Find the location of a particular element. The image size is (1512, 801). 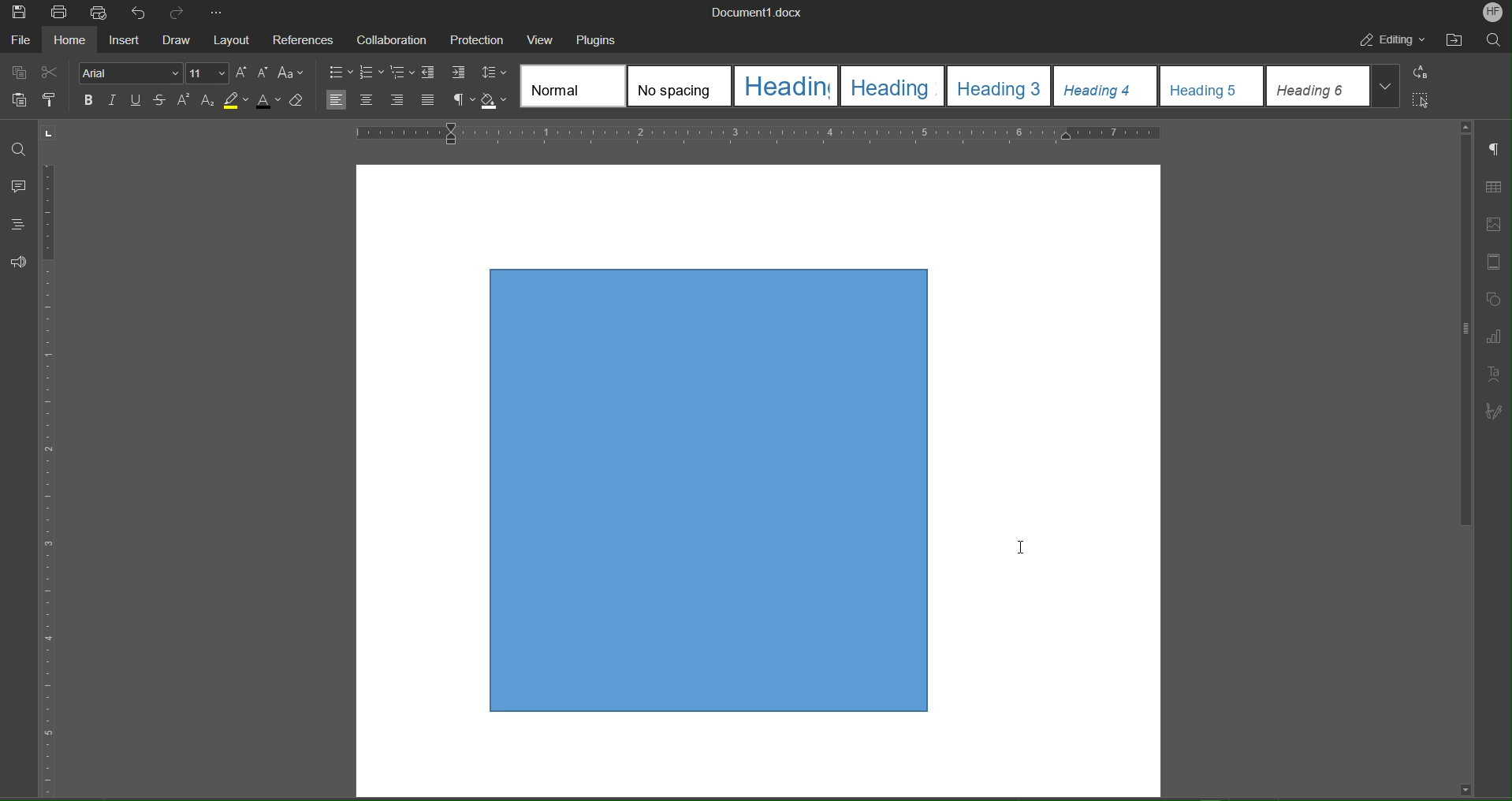

Cut is located at coordinates (54, 73).